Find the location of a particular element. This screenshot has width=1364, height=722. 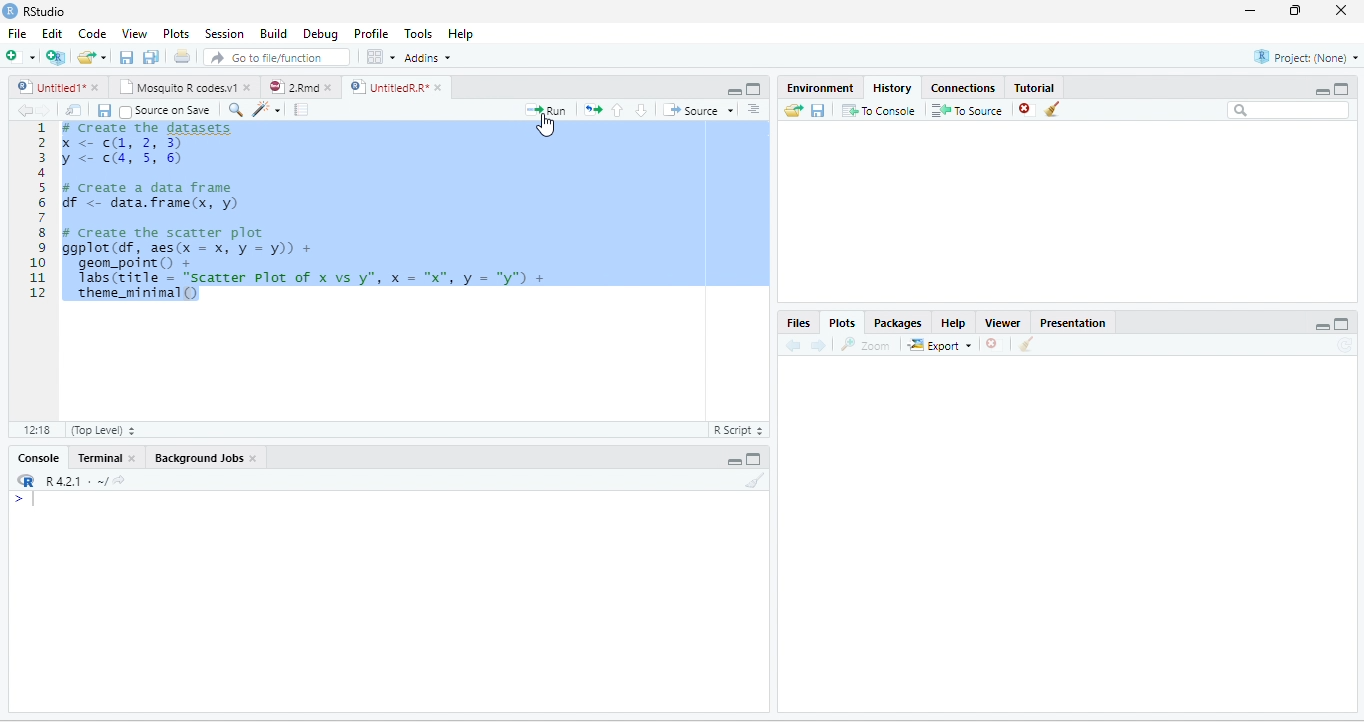

Load history from an existing file is located at coordinates (792, 111).